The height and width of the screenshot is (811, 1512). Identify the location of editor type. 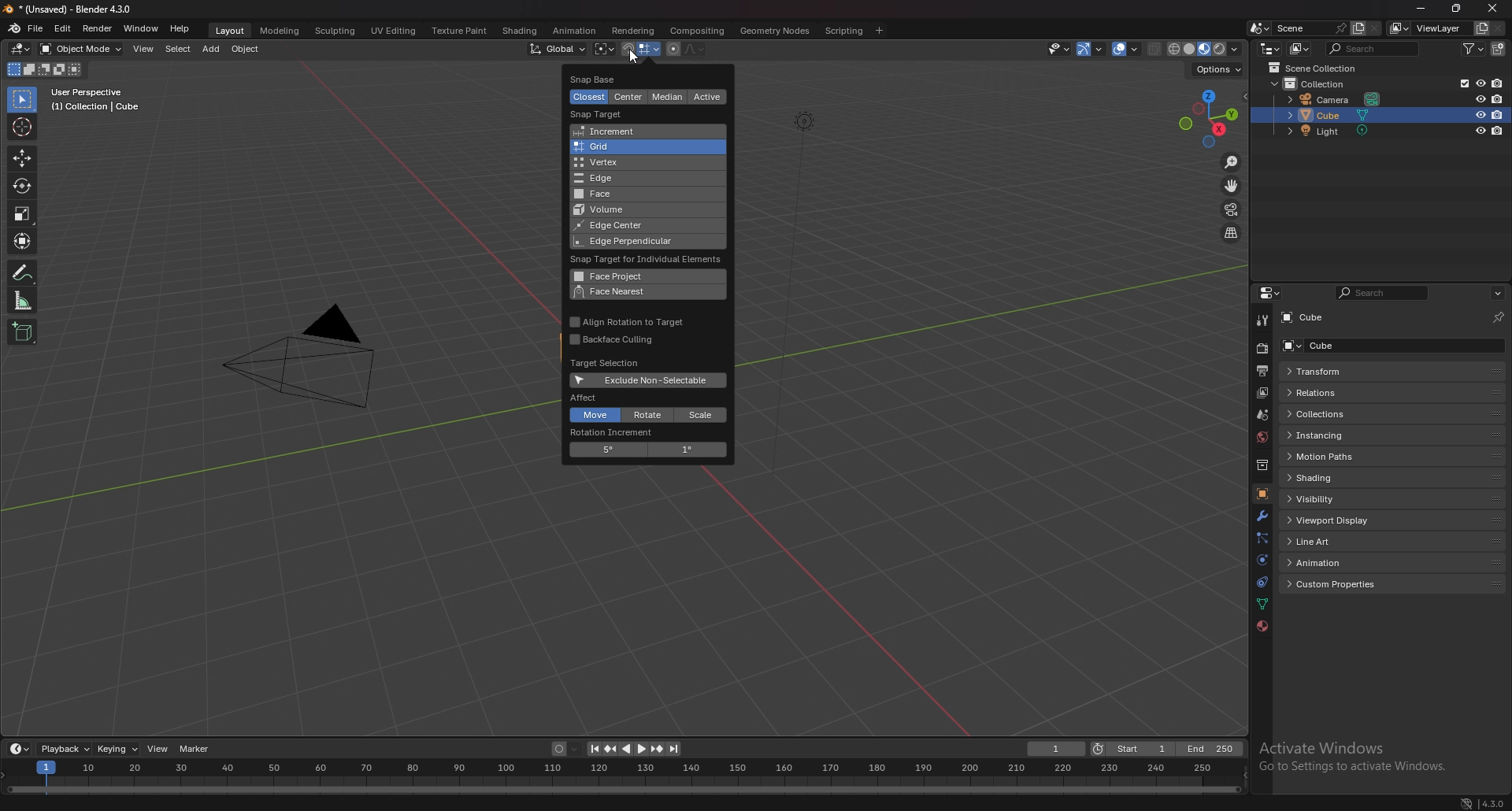
(20, 748).